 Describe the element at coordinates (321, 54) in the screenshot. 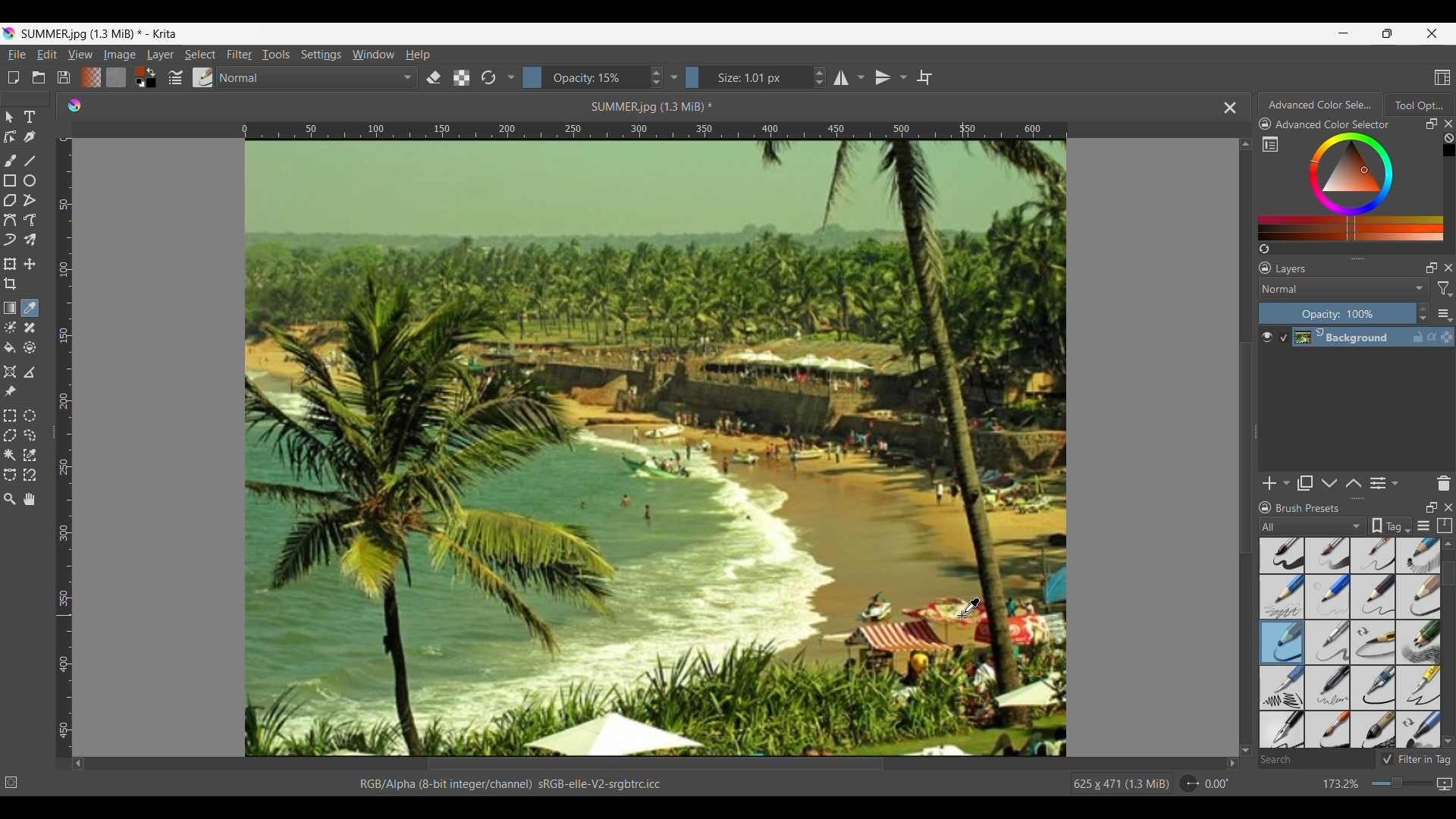

I see `Settings menu` at that location.